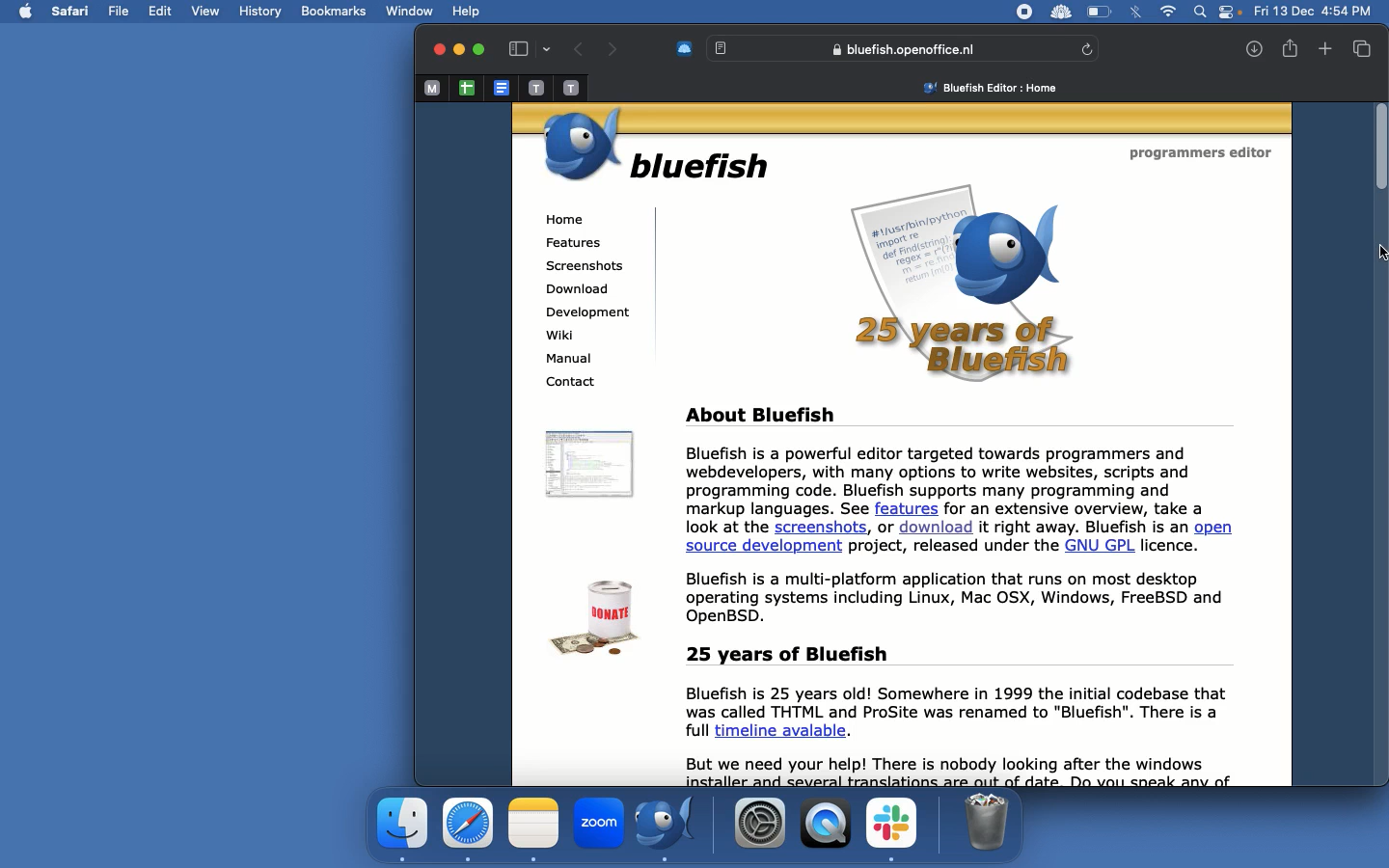 This screenshot has width=1389, height=868. What do you see at coordinates (577, 265) in the screenshot?
I see `Screenshots` at bounding box center [577, 265].